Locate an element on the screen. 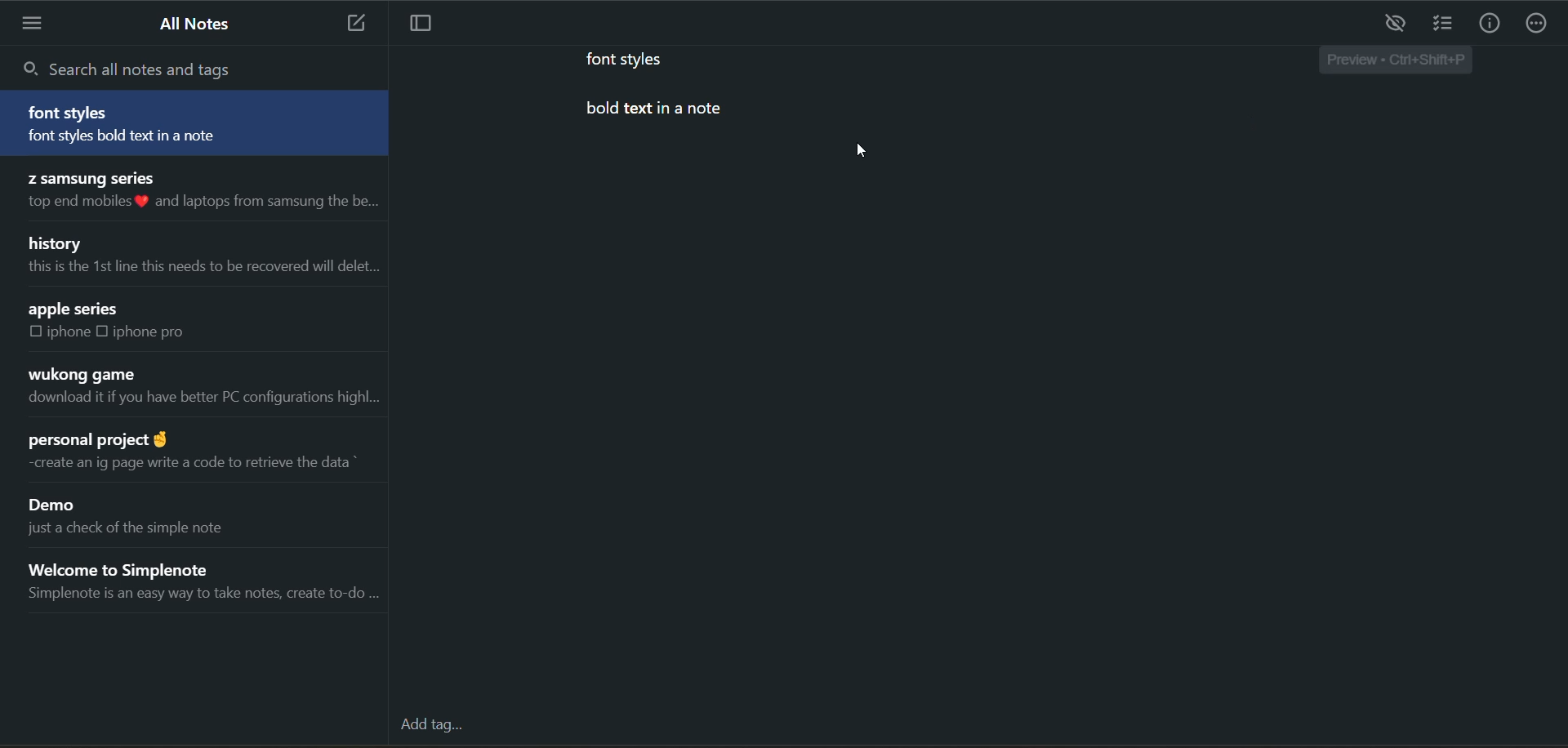 The width and height of the screenshot is (1568, 748). iphone pro is located at coordinates (150, 332).